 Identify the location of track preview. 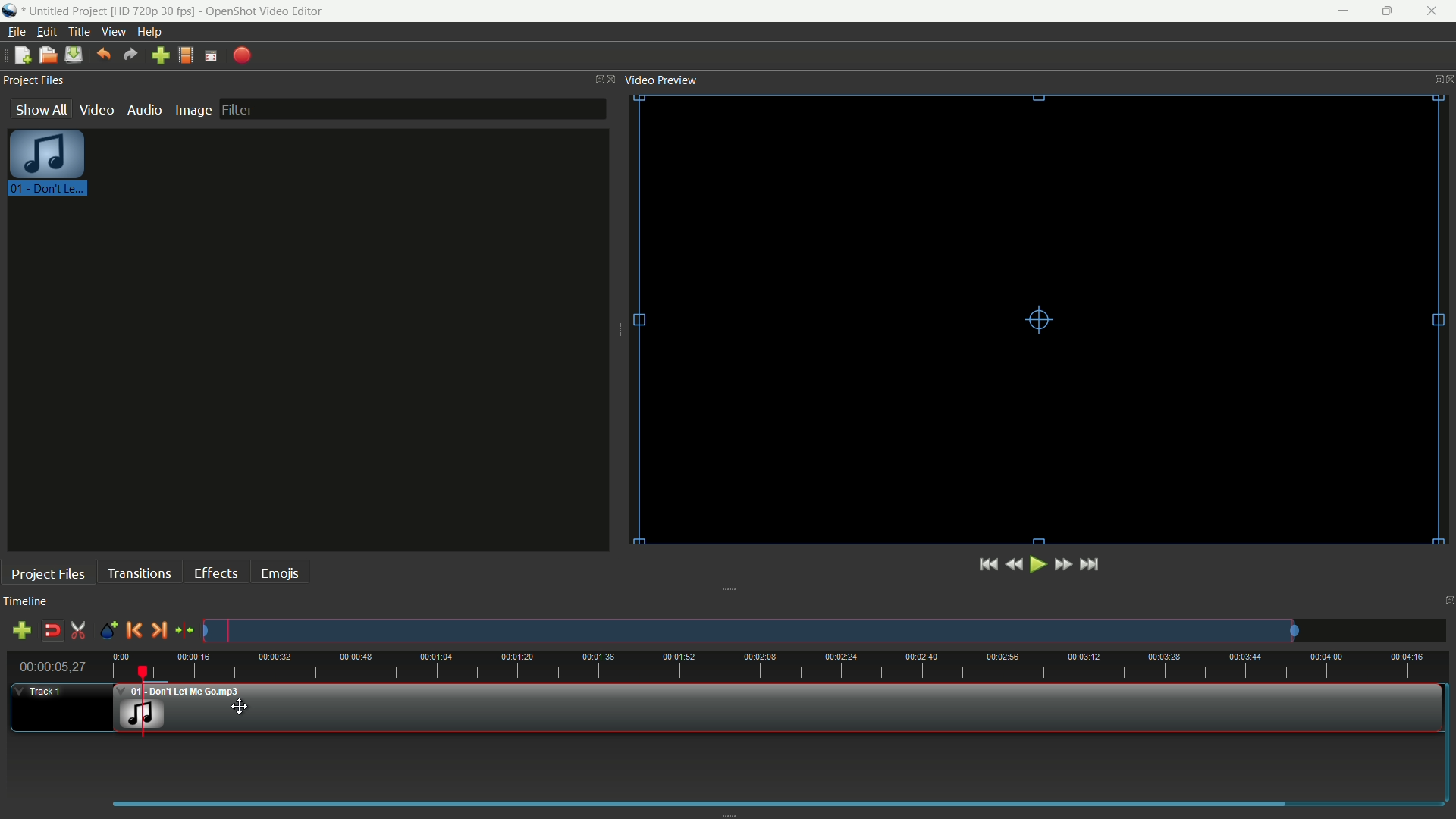
(748, 631).